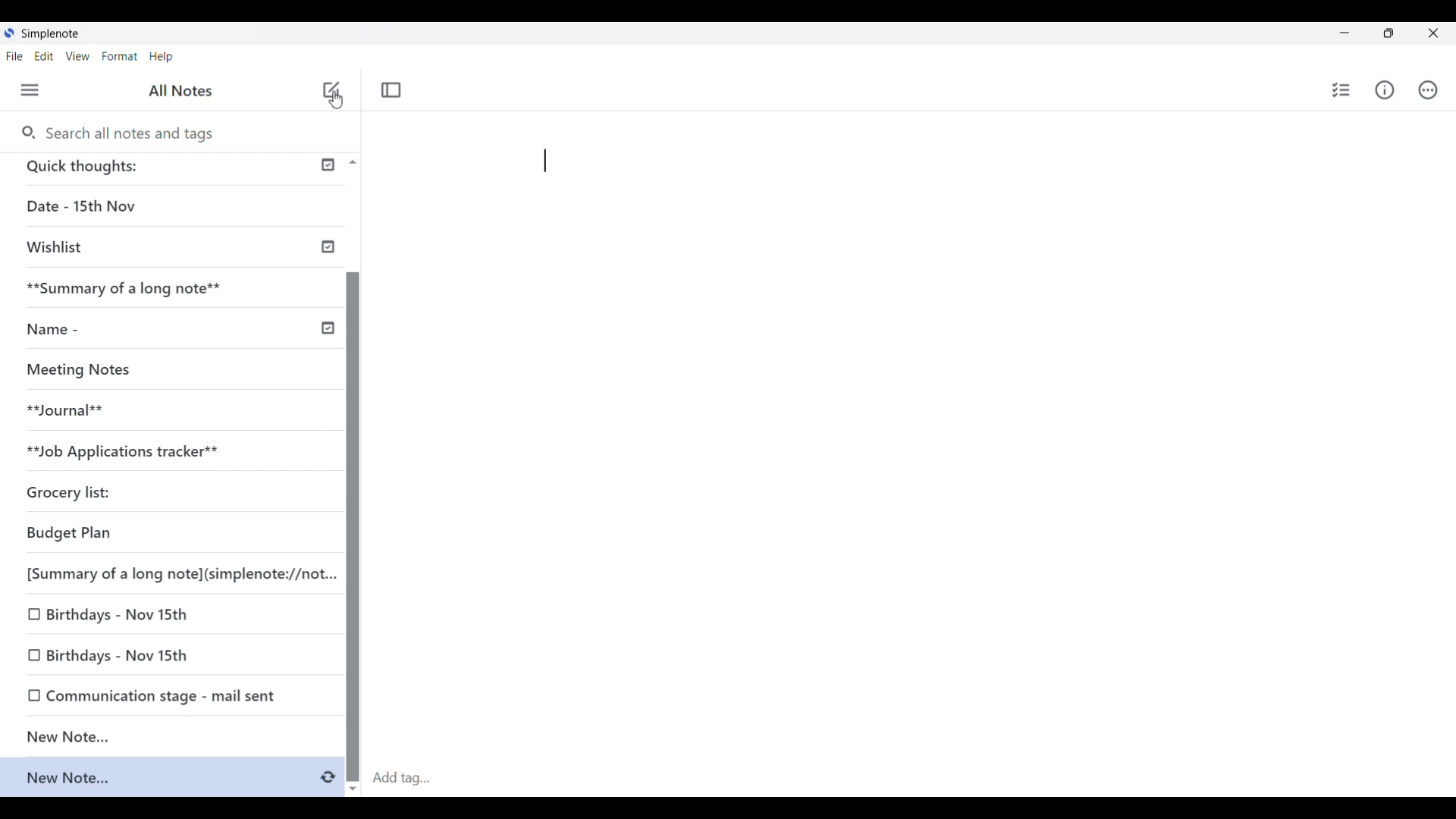 The image size is (1456, 819). I want to click on Summary of a long note, so click(126, 286).